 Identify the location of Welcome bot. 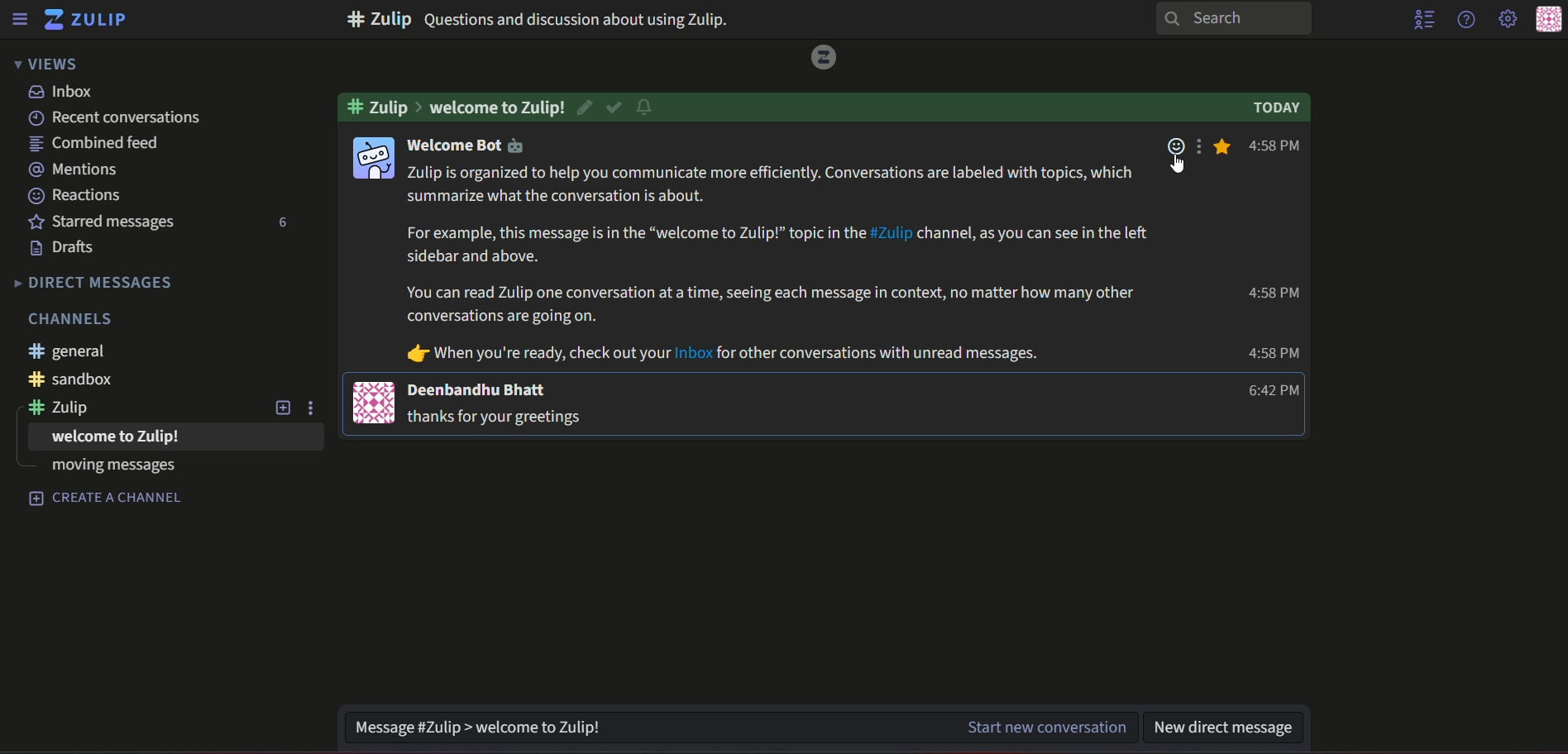
(475, 146).